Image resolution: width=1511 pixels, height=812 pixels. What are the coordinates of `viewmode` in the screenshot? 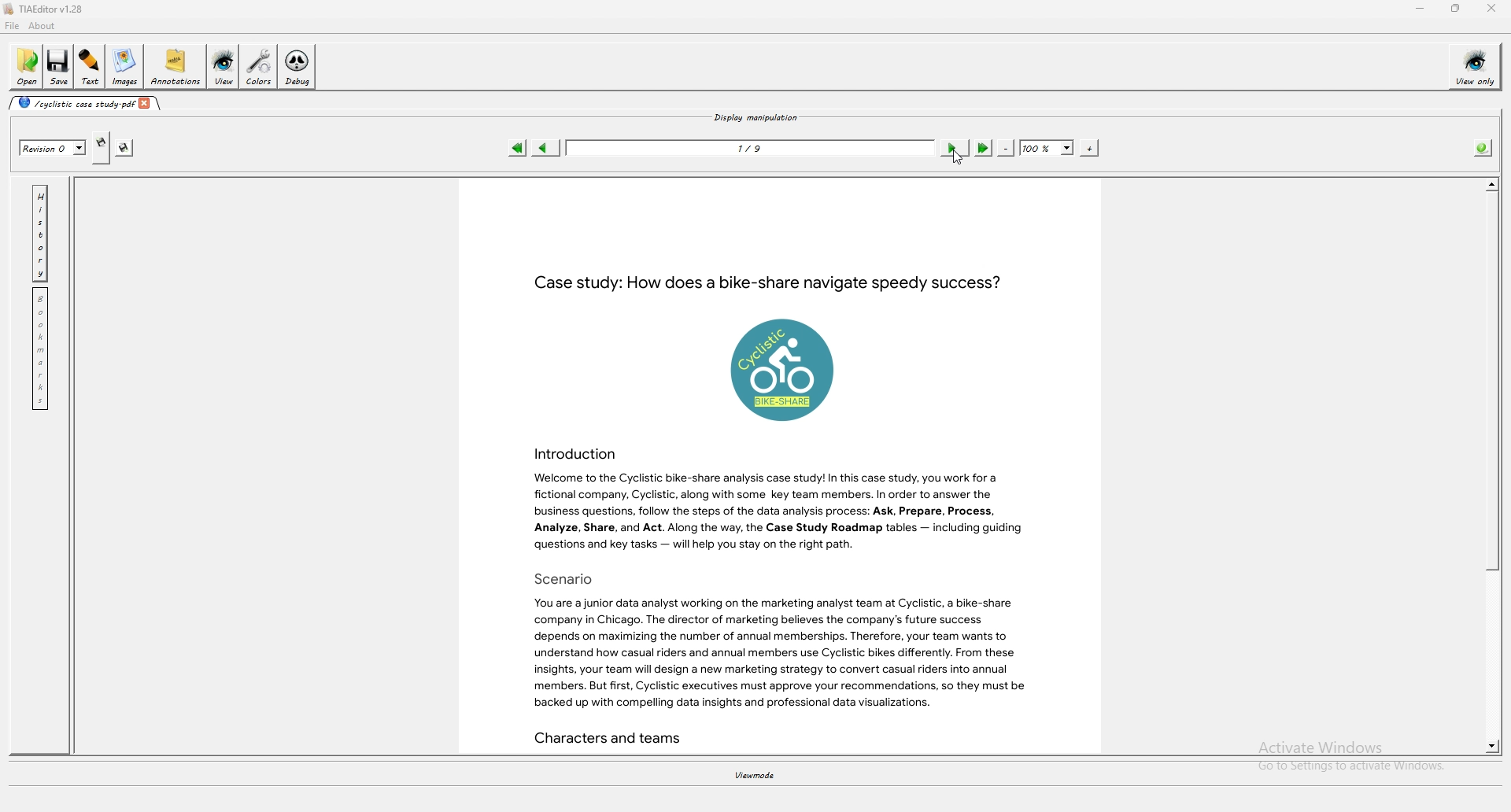 It's located at (754, 776).